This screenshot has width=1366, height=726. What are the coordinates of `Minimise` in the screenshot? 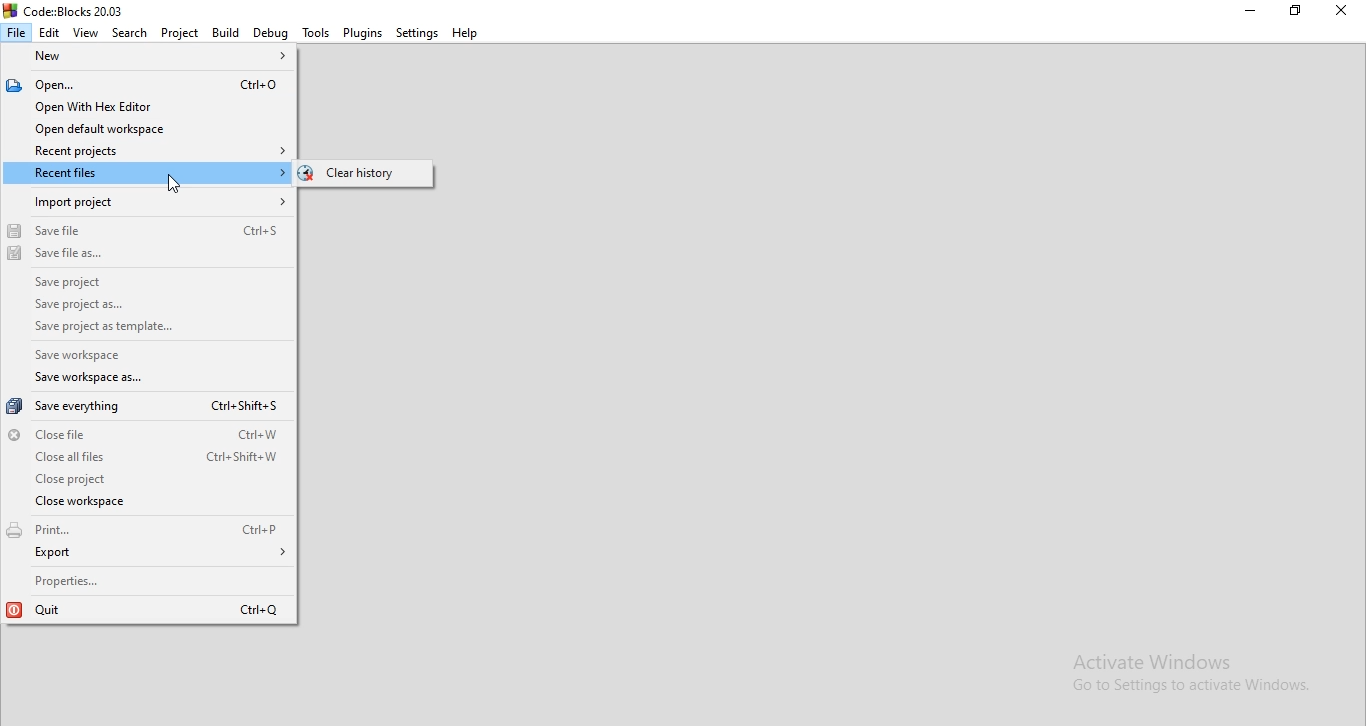 It's located at (1243, 10).